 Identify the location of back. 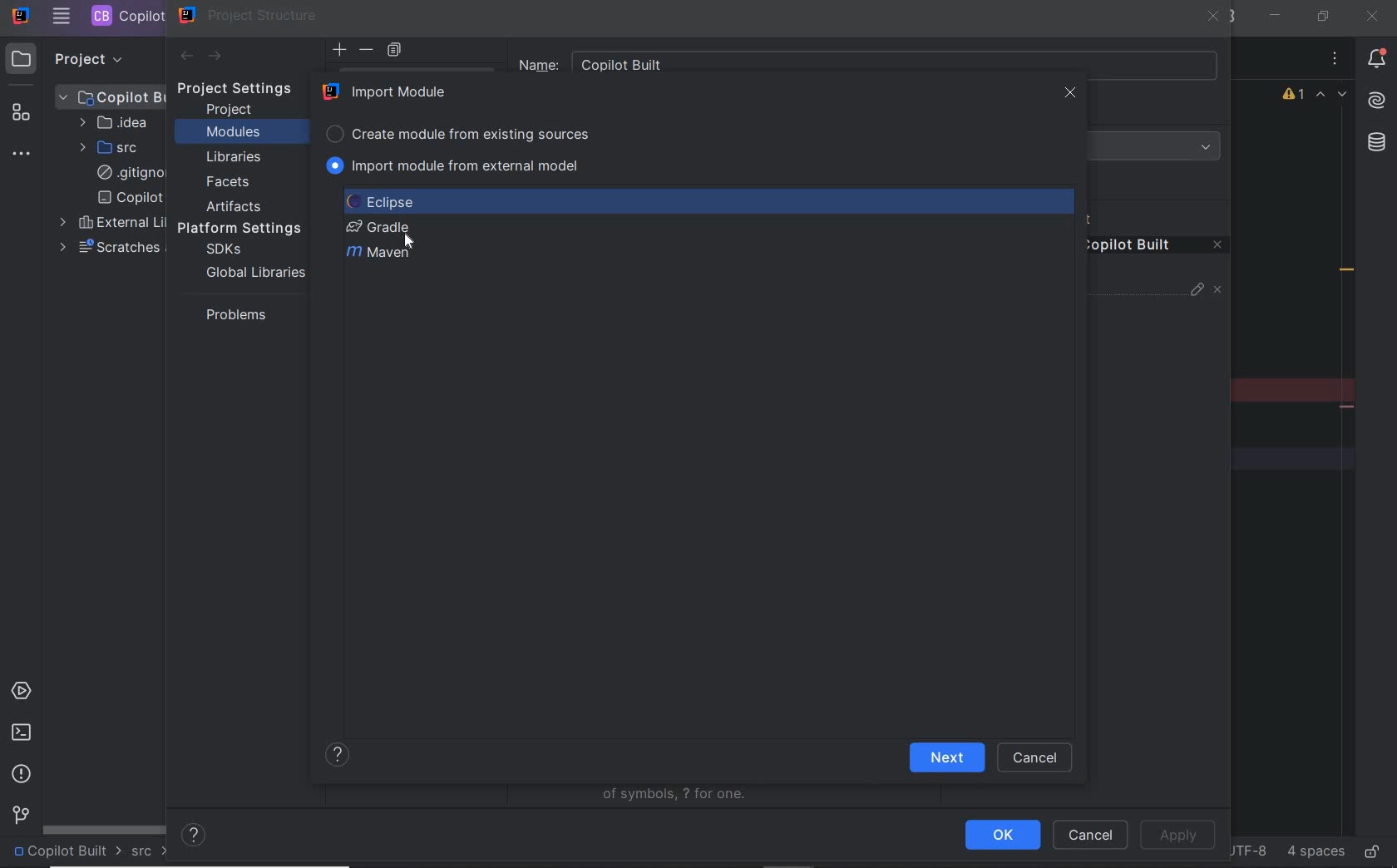
(185, 57).